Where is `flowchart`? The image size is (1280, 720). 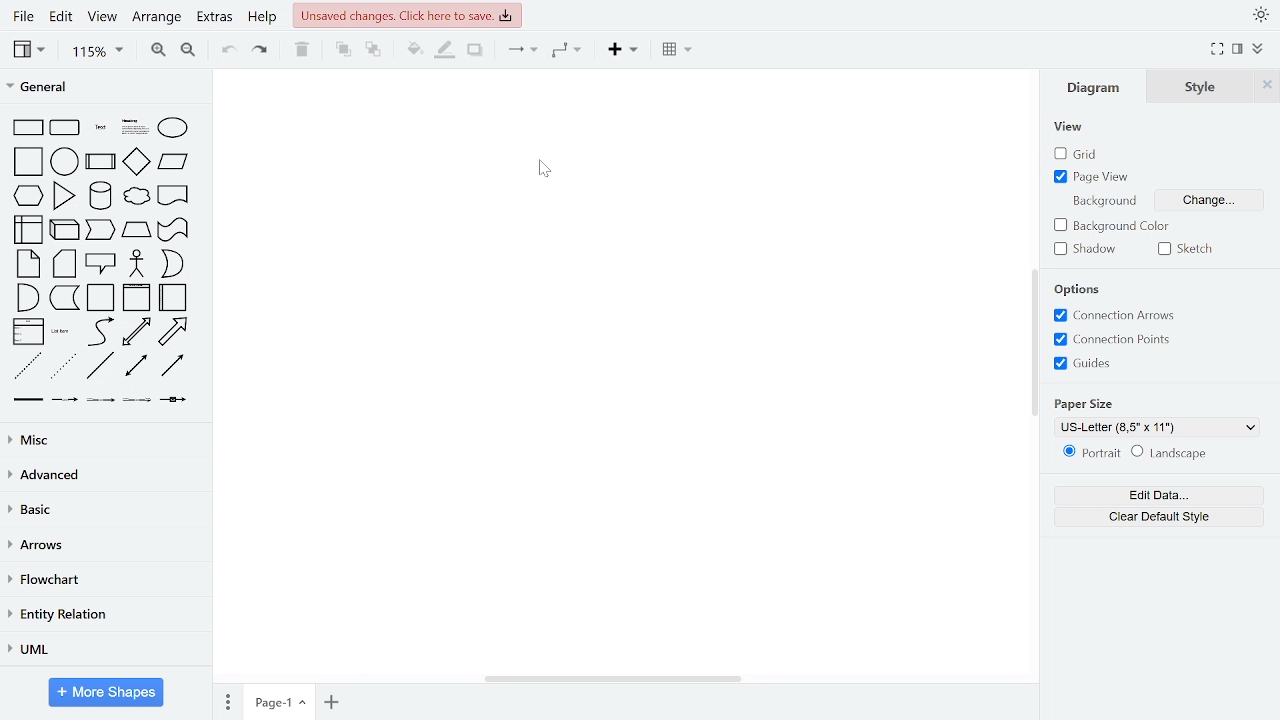 flowchart is located at coordinates (103, 582).